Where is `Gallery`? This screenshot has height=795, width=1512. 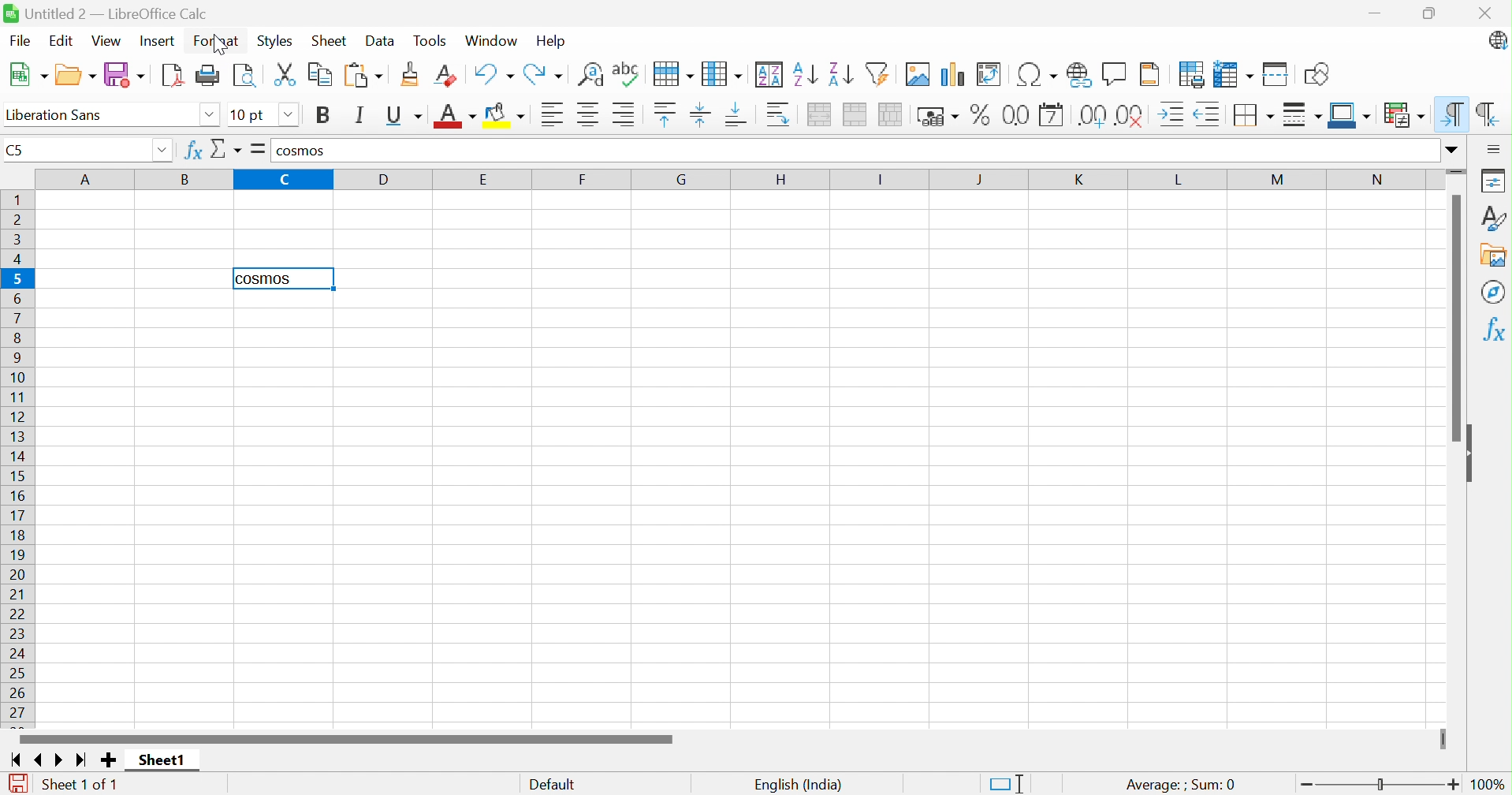 Gallery is located at coordinates (1495, 256).